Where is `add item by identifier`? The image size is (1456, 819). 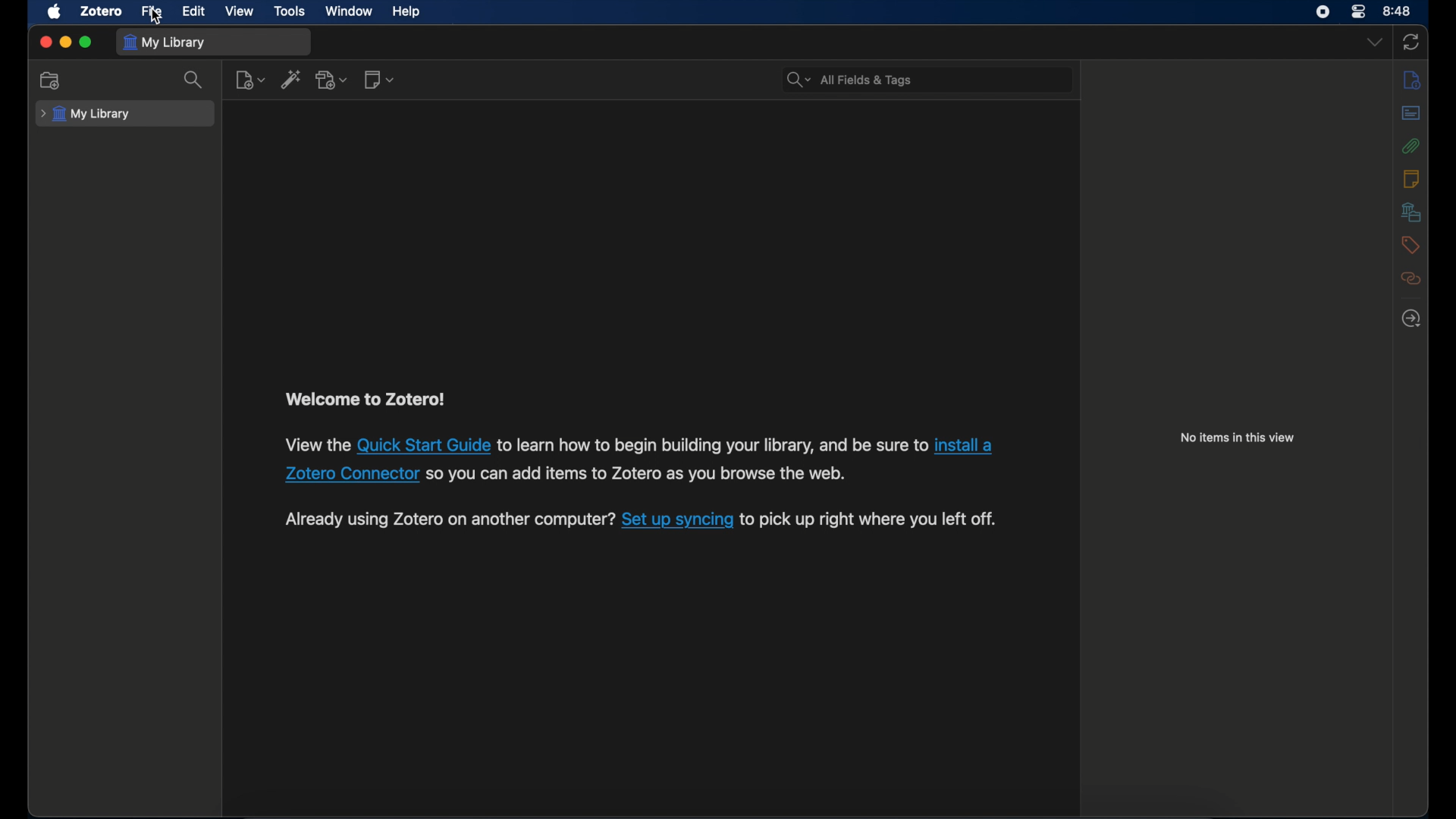 add item by identifier is located at coordinates (292, 80).